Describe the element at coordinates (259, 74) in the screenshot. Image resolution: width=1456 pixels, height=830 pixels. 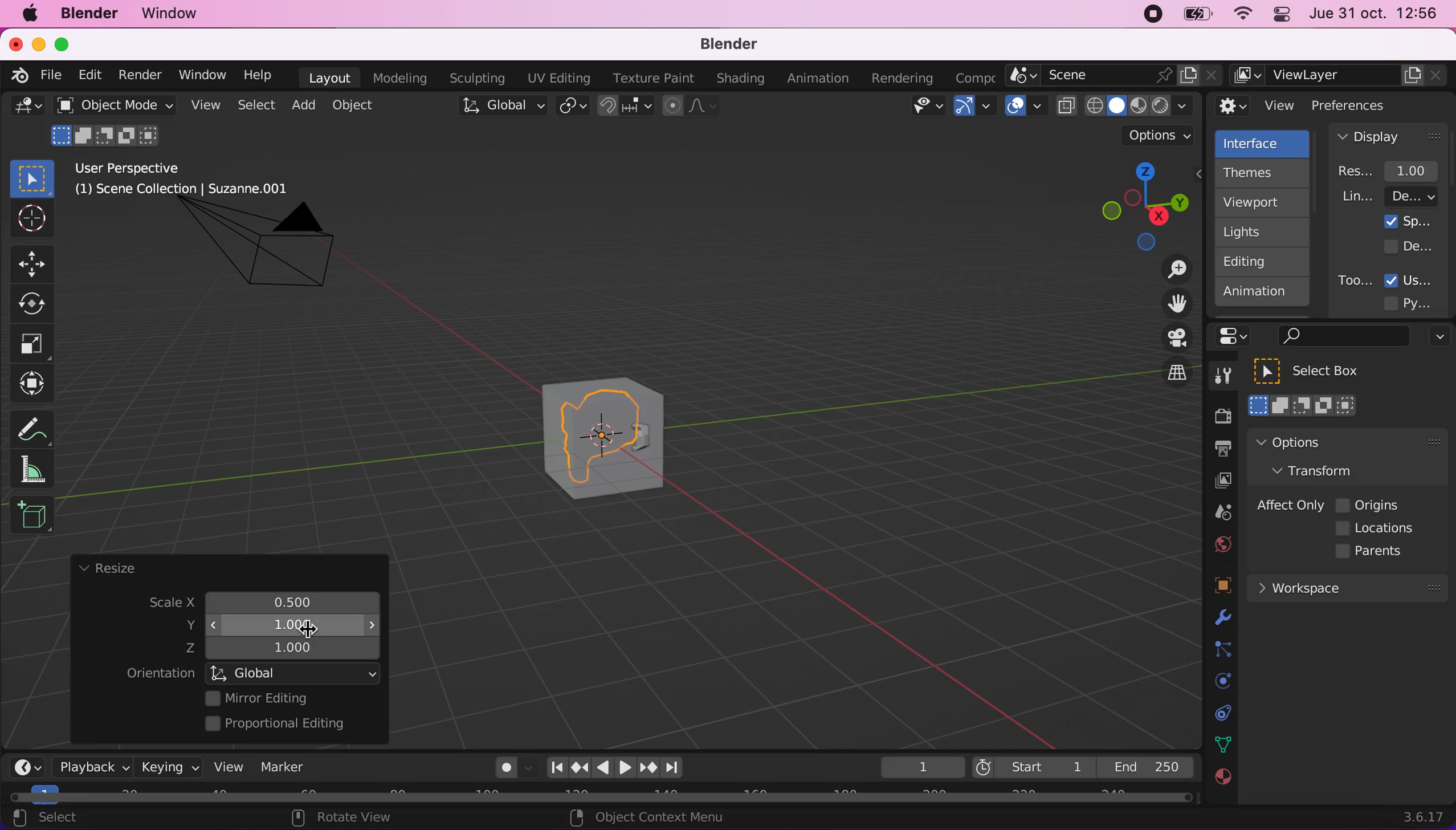
I see `help` at that location.